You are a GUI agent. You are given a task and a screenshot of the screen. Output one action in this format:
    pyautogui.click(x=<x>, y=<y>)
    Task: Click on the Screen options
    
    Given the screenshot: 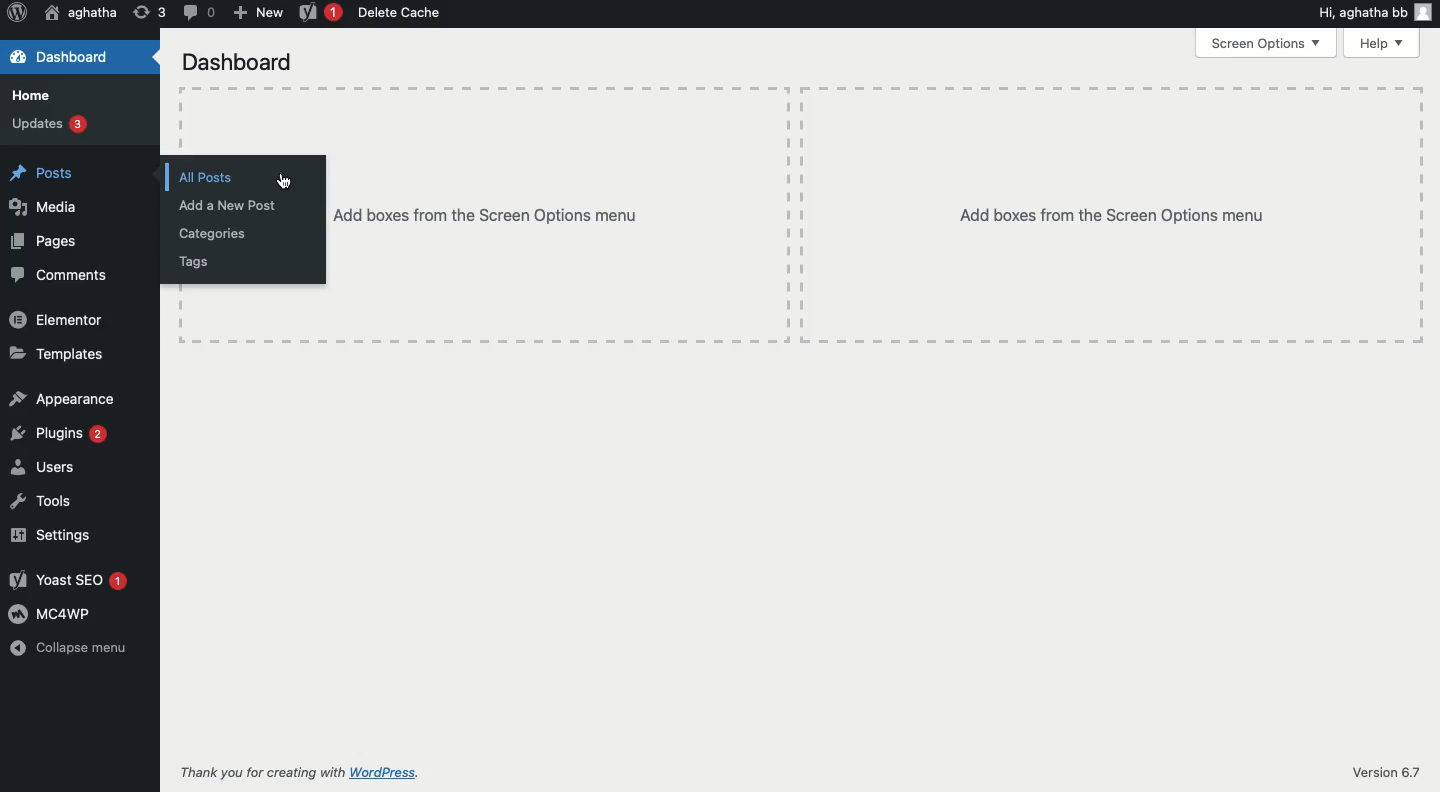 What is the action you would take?
    pyautogui.click(x=1264, y=42)
    